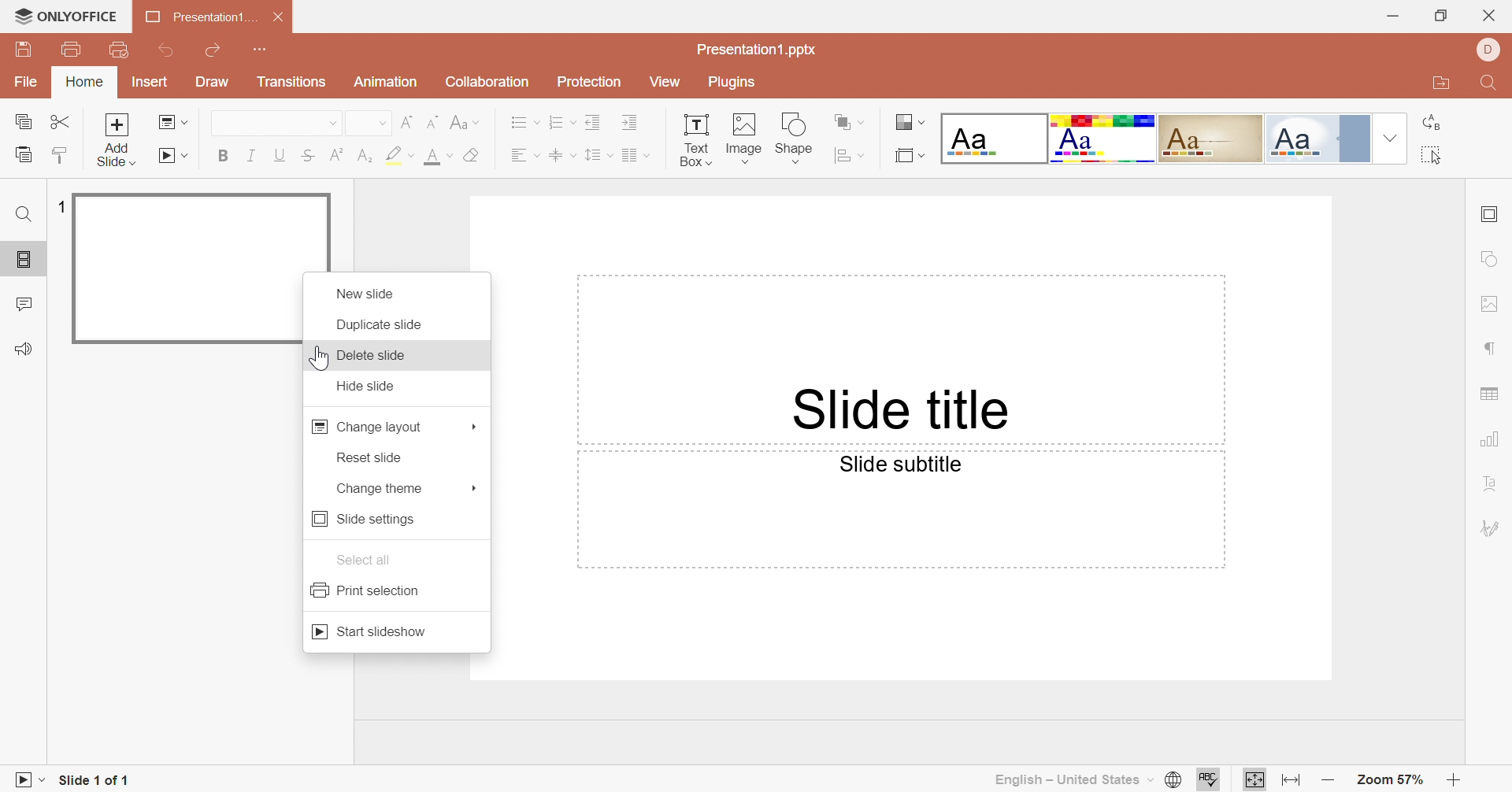 Image resolution: width=1512 pixels, height=792 pixels. Describe the element at coordinates (557, 120) in the screenshot. I see `Numbering` at that location.